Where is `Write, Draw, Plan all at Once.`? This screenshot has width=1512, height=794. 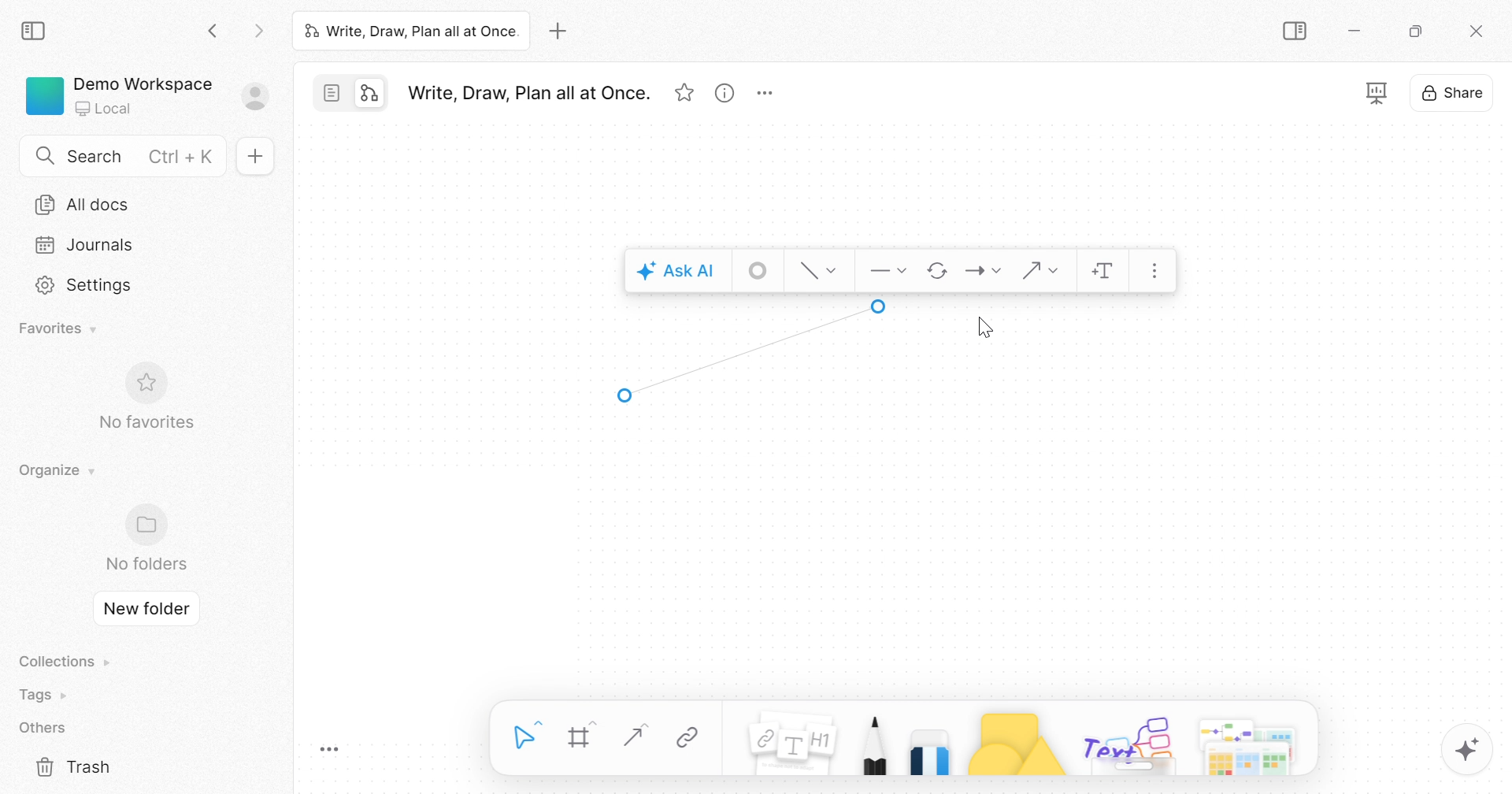 Write, Draw, Plan all at Once. is located at coordinates (410, 30).